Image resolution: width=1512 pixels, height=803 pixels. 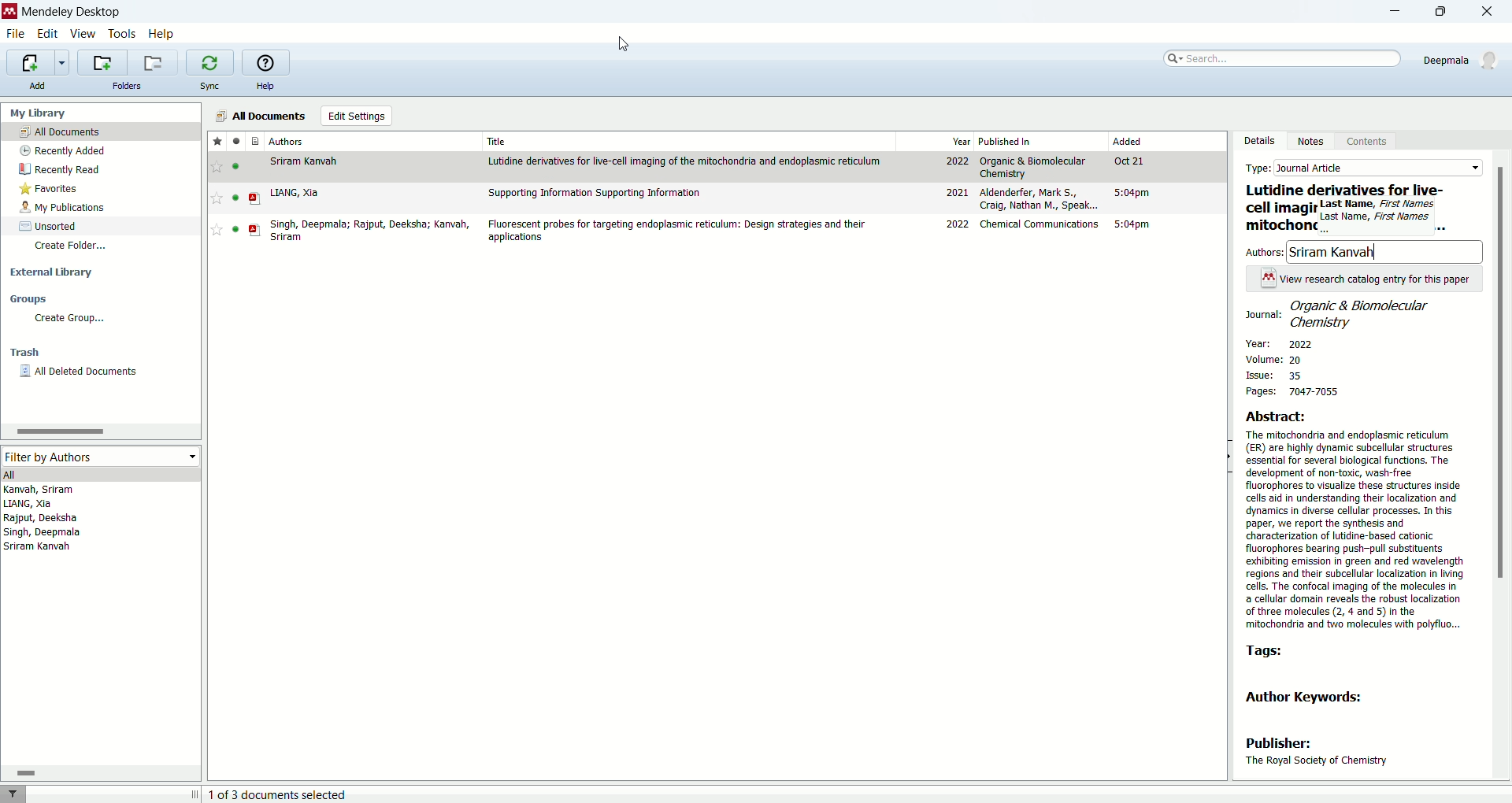 I want to click on my library, so click(x=42, y=114).